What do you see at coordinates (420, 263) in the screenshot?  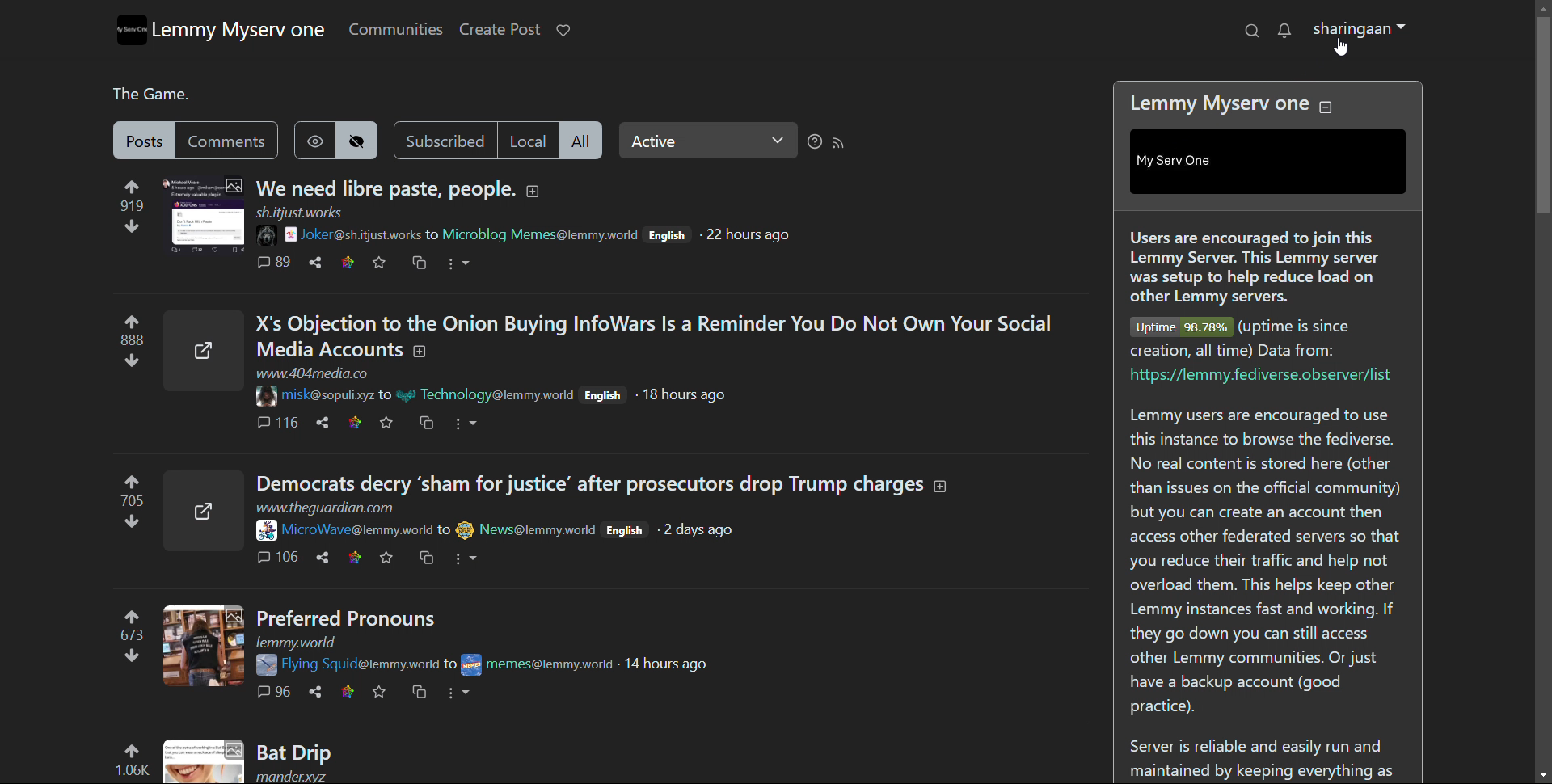 I see `cross post` at bounding box center [420, 263].